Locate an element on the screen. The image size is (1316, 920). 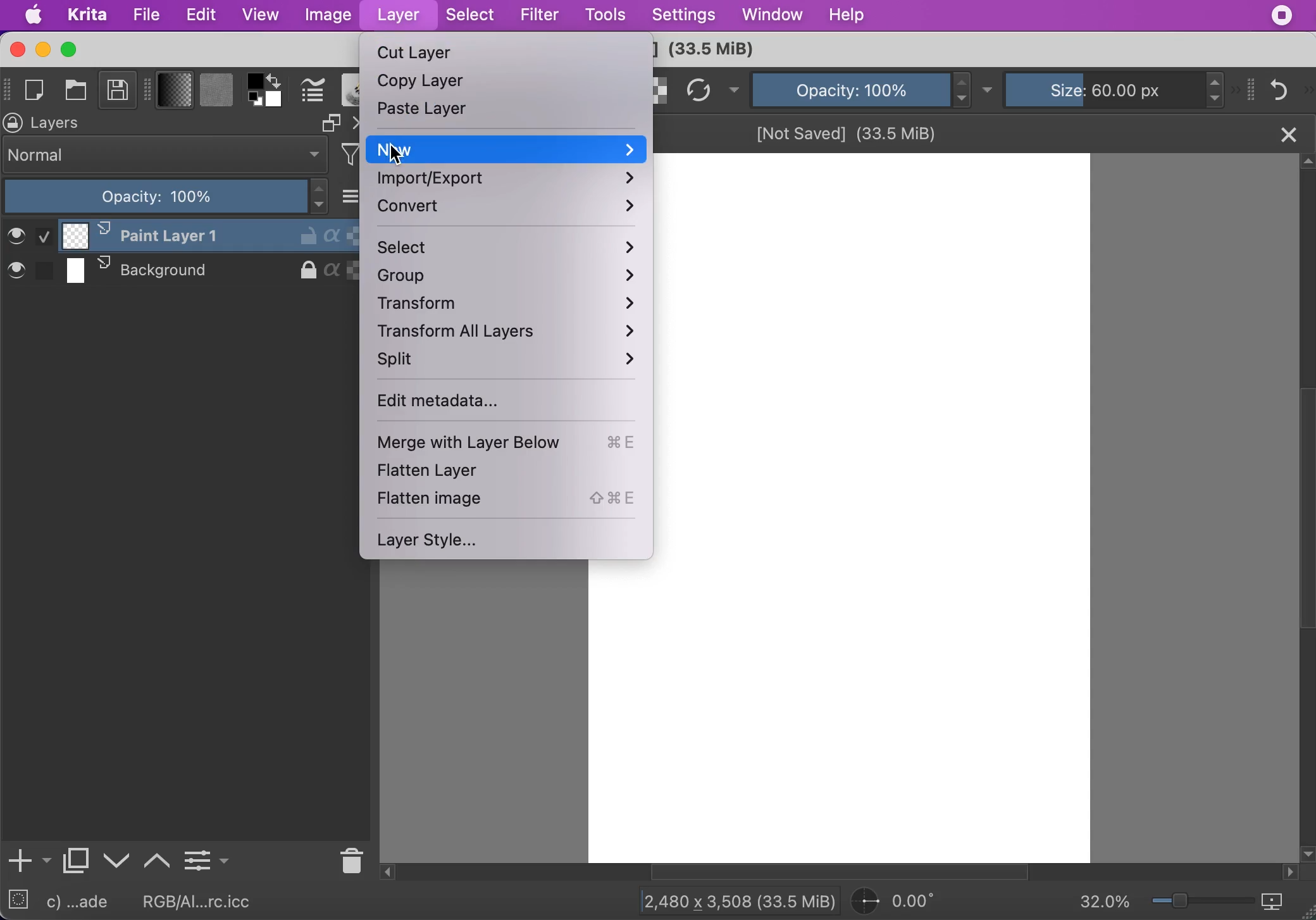
edit is located at coordinates (201, 15).